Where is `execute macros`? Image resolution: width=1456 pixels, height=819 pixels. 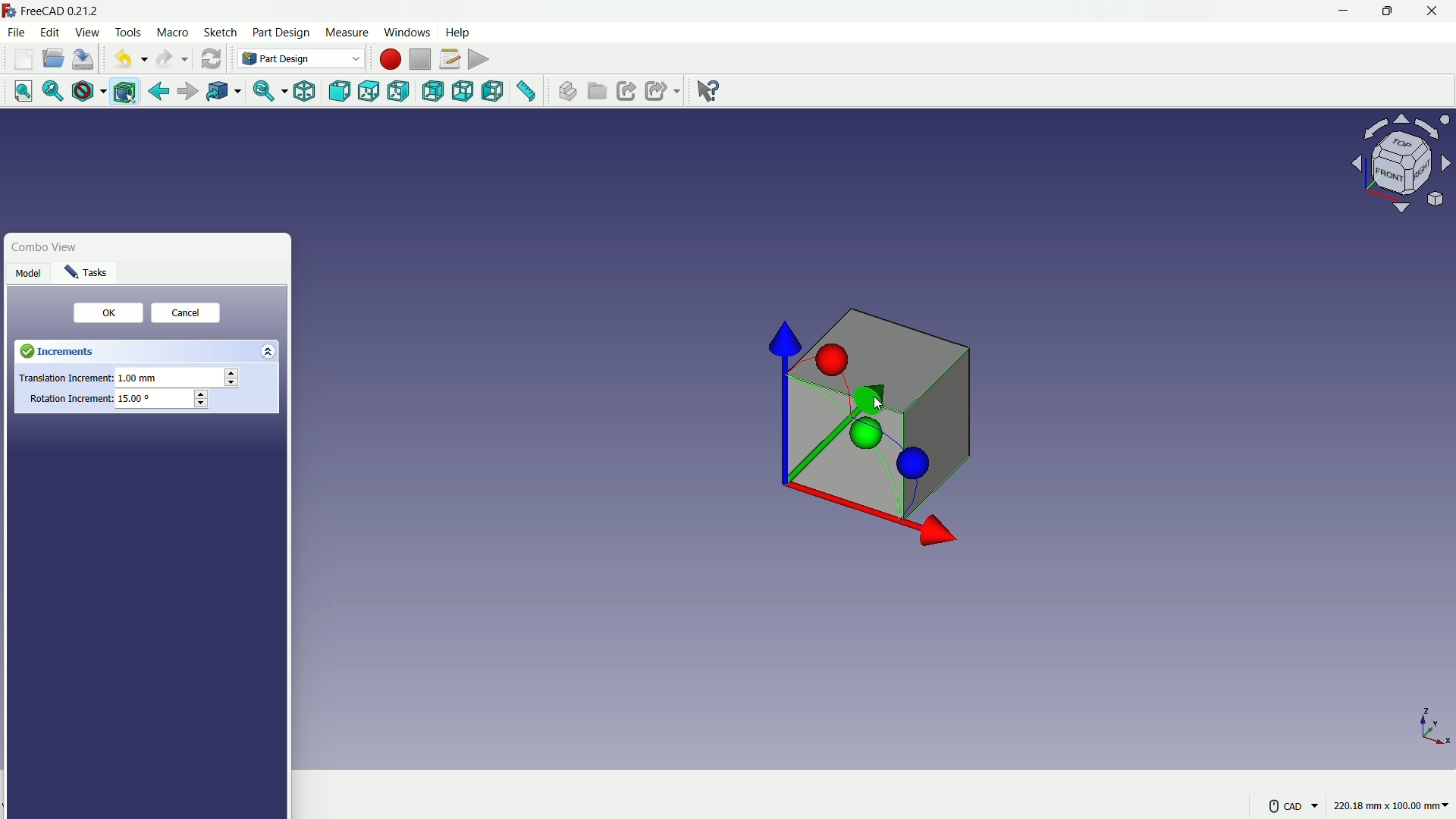
execute macros is located at coordinates (480, 58).